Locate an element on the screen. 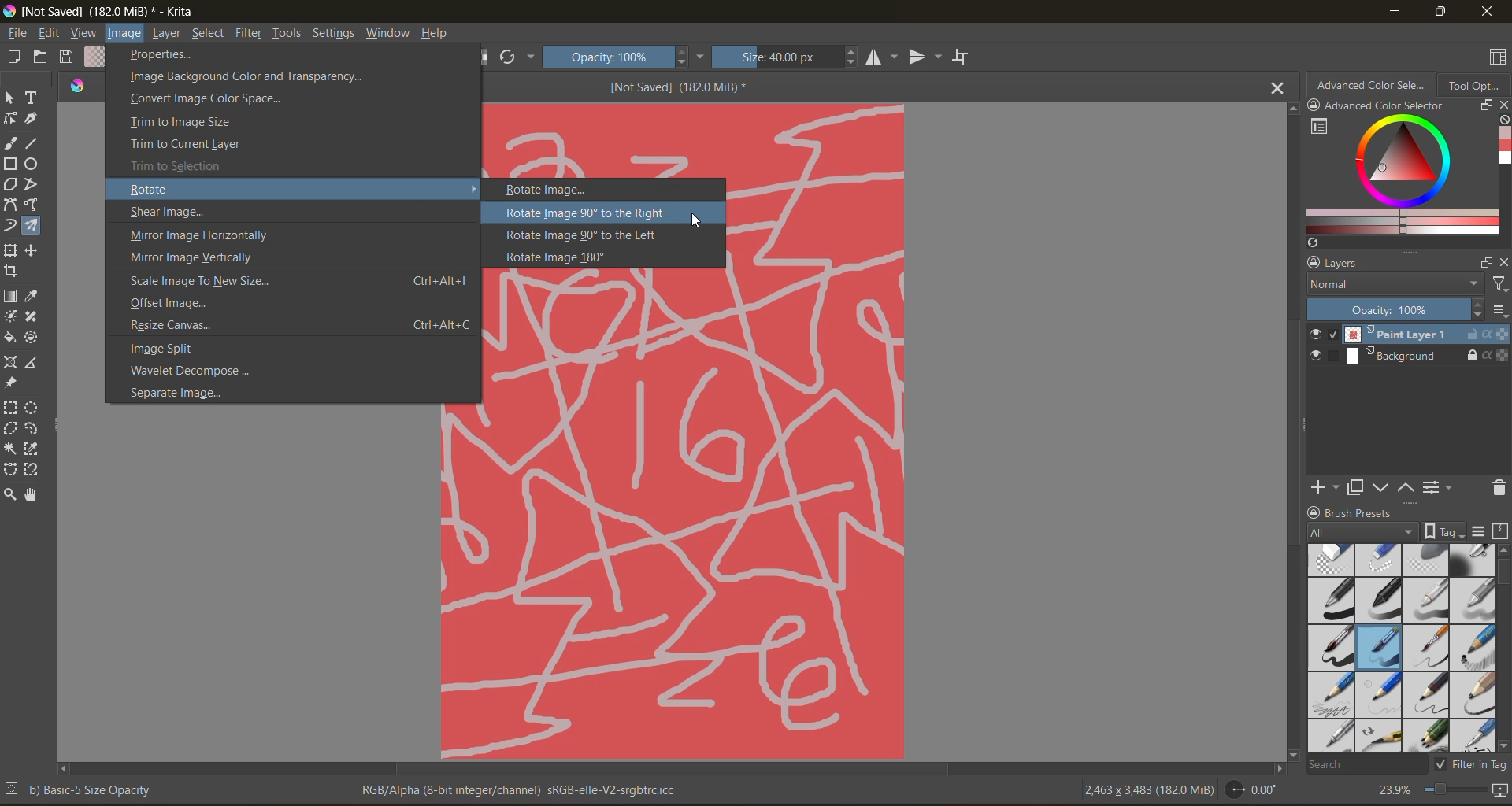 The width and height of the screenshot is (1512, 806). app name and file name is located at coordinates (106, 12).